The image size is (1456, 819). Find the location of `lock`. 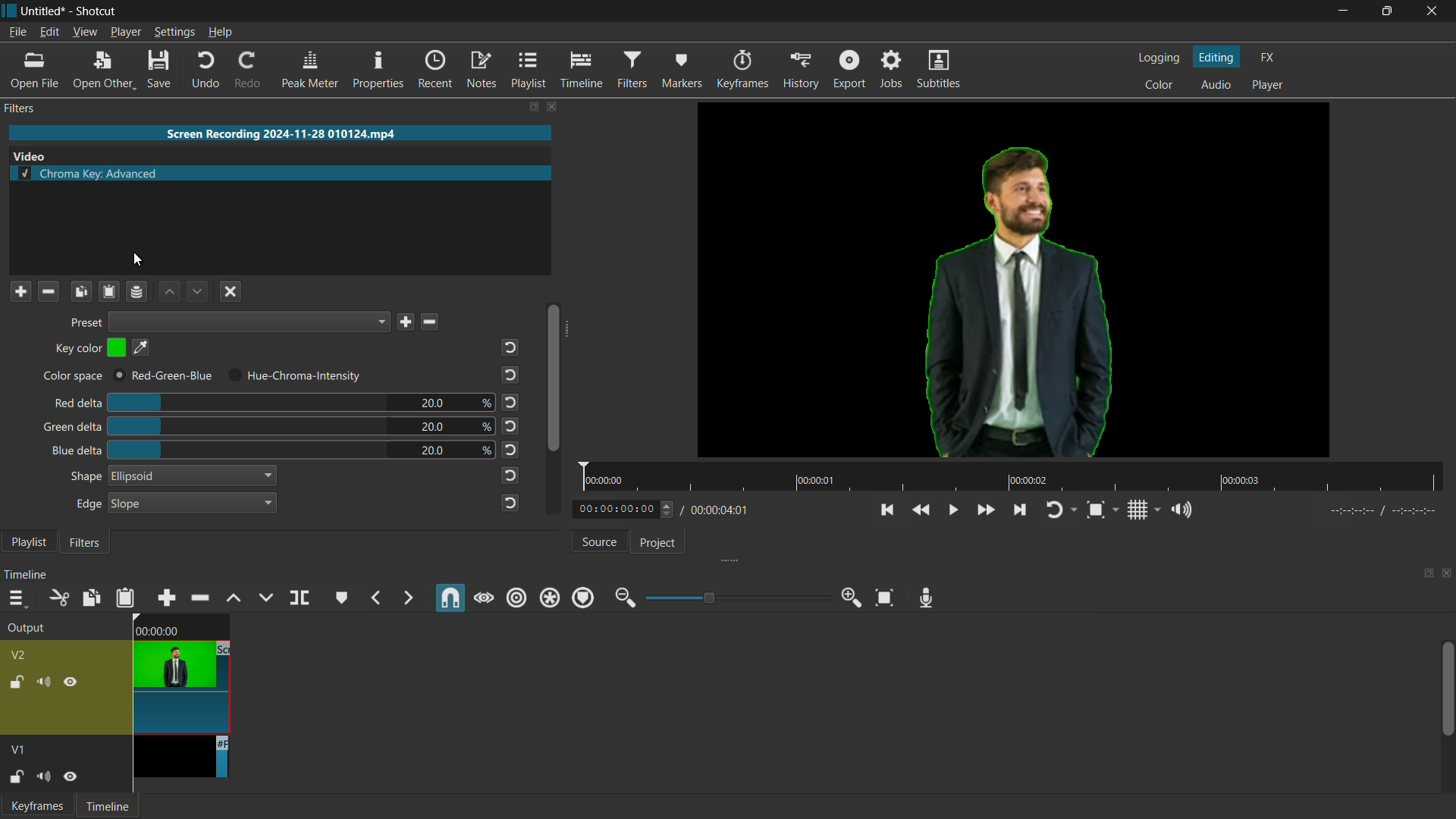

lock is located at coordinates (15, 682).